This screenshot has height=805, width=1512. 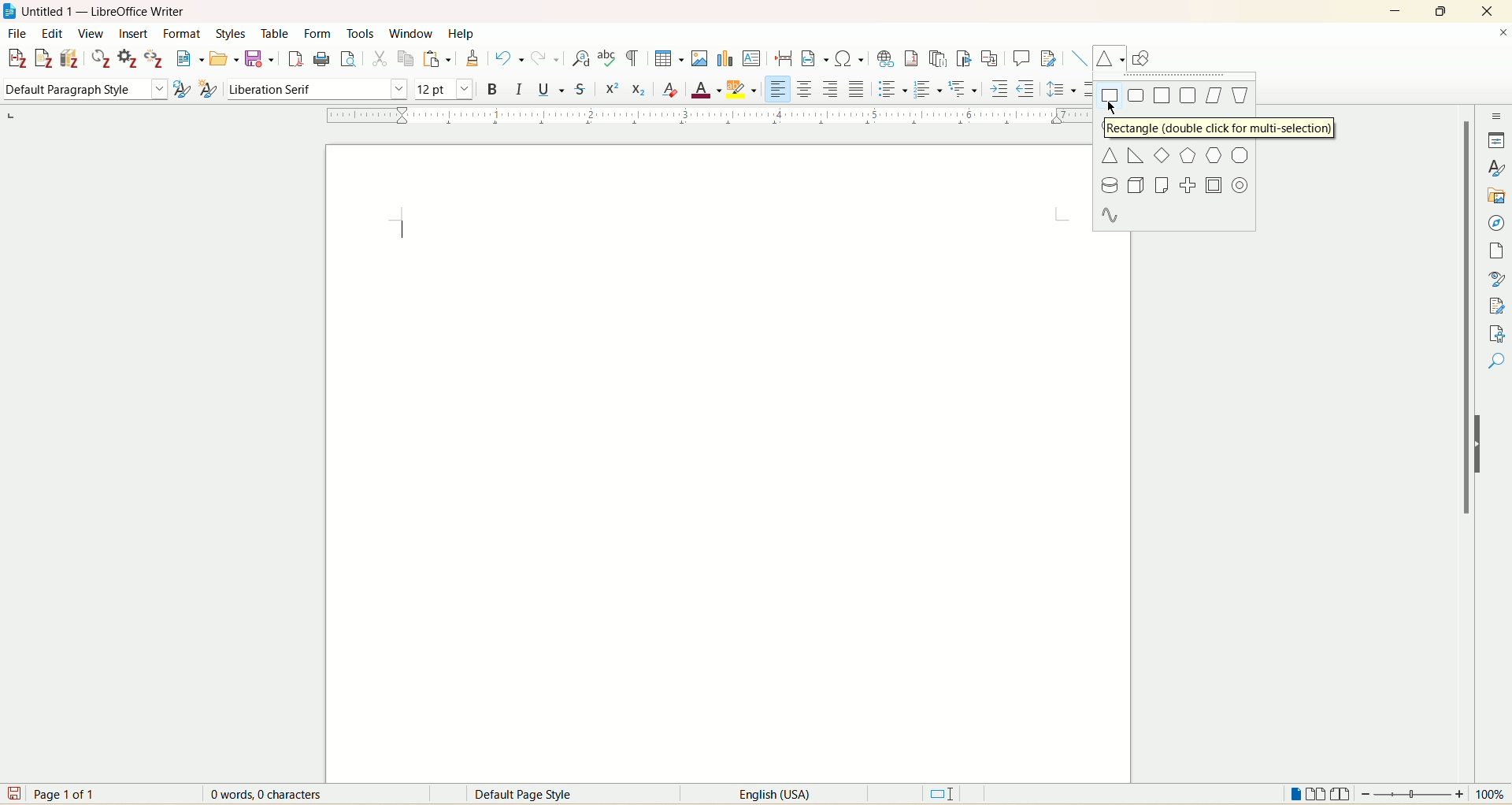 What do you see at coordinates (1188, 184) in the screenshot?
I see `cross` at bounding box center [1188, 184].